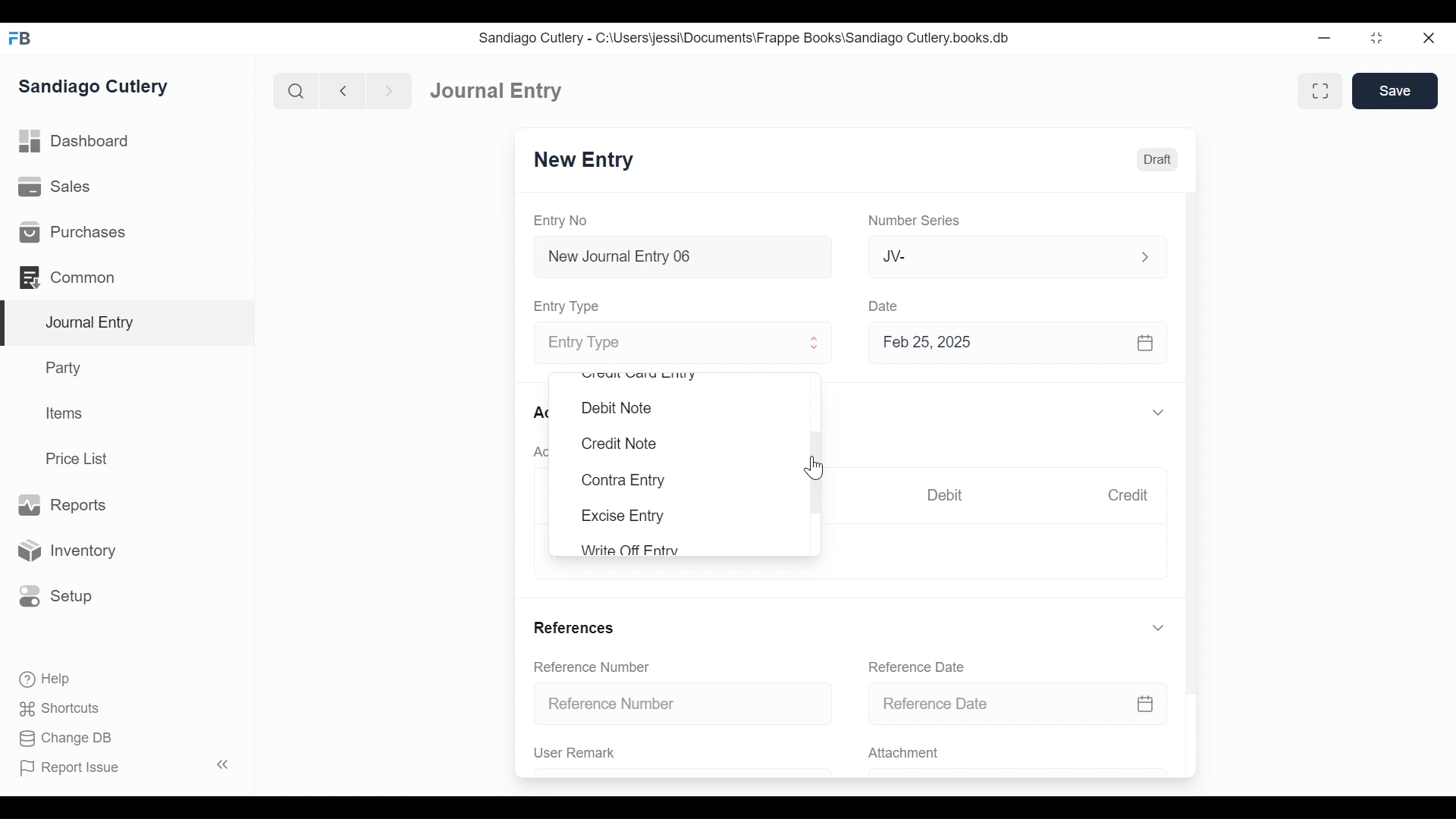 This screenshot has width=1456, height=819. What do you see at coordinates (21, 39) in the screenshot?
I see `Frappe Books Desktop icon` at bounding box center [21, 39].